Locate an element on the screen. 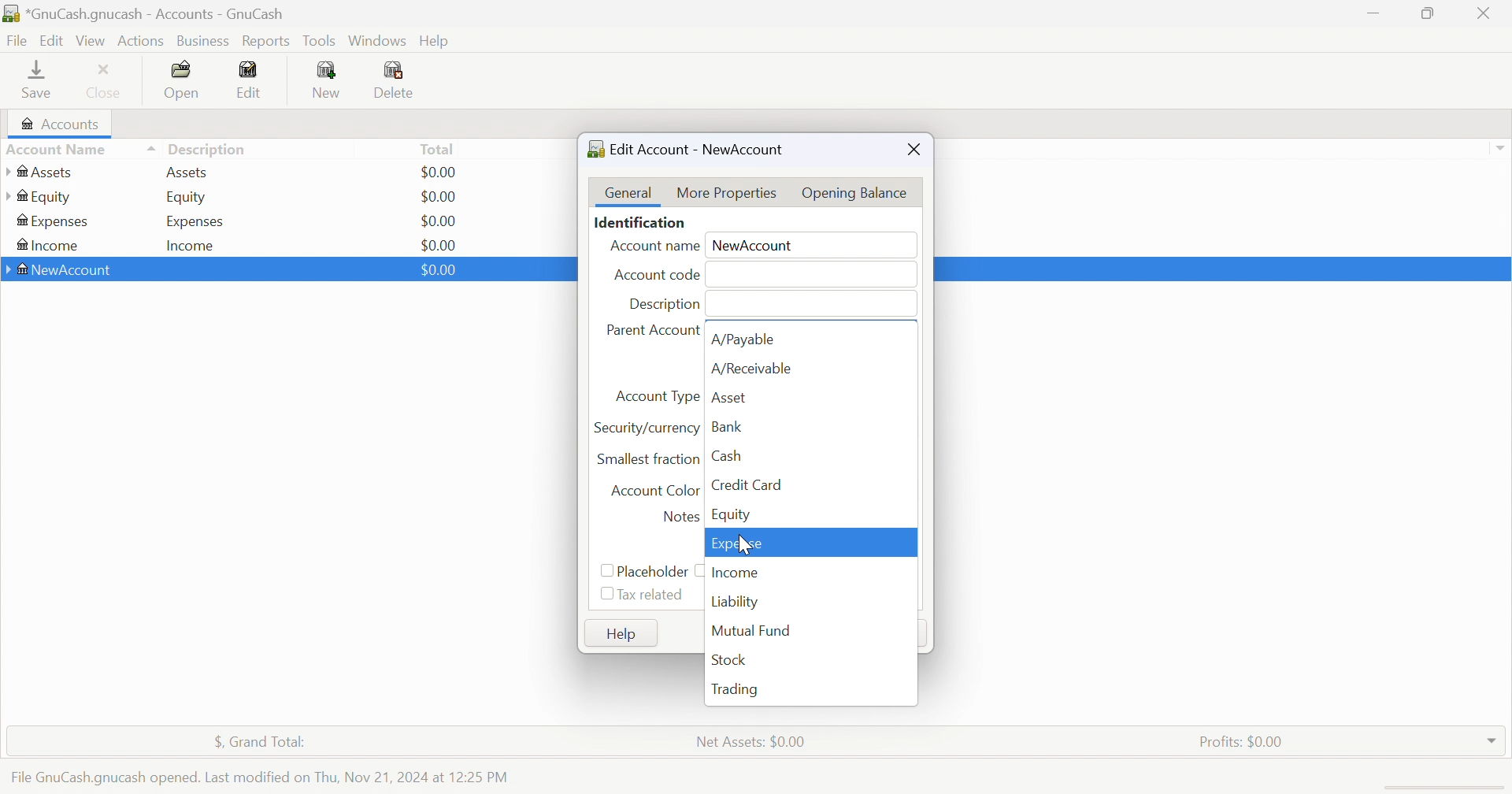 This screenshot has height=794, width=1512. Edit is located at coordinates (249, 80).